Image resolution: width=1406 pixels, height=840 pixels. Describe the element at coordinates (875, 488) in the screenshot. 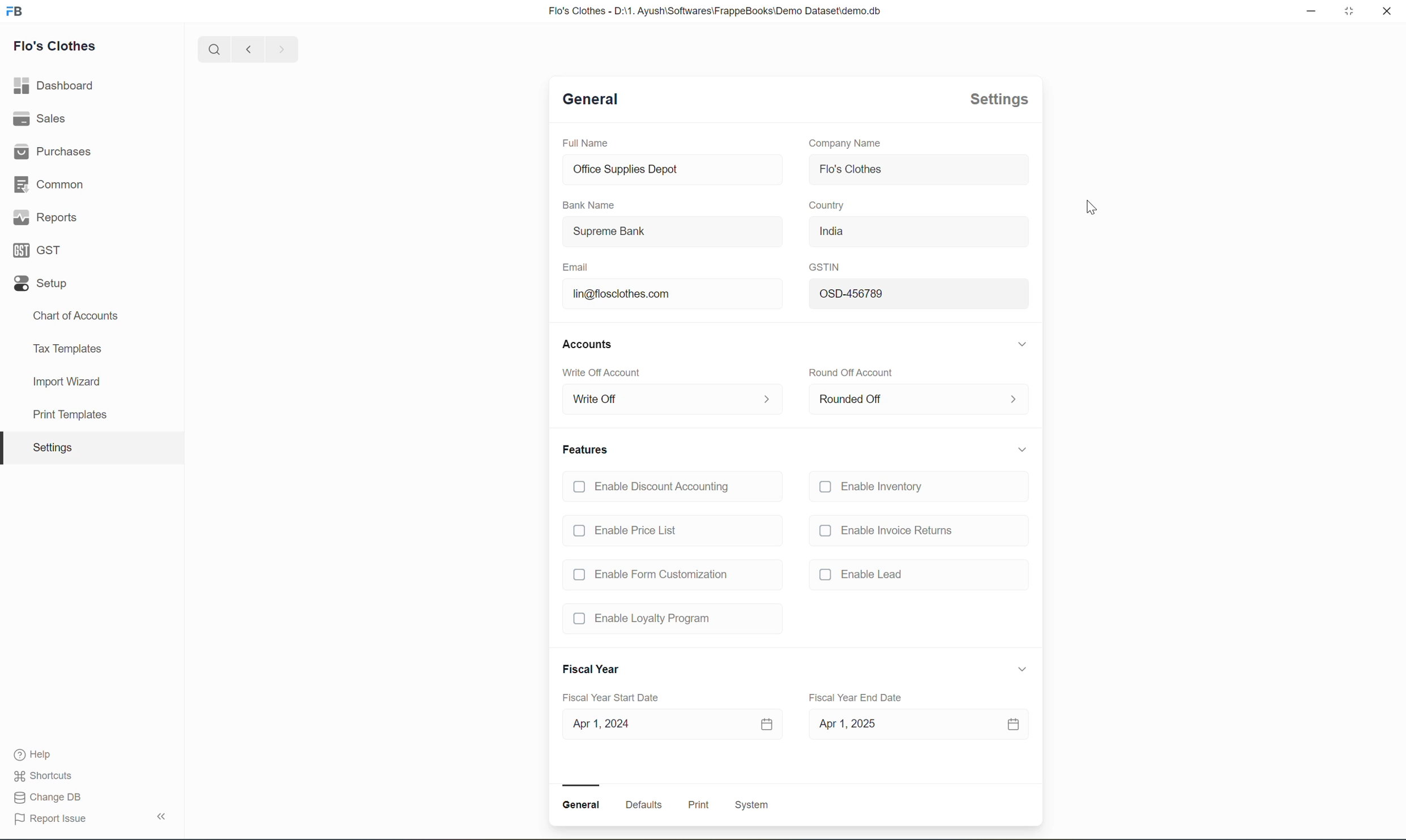

I see `Enable Inventory` at that location.